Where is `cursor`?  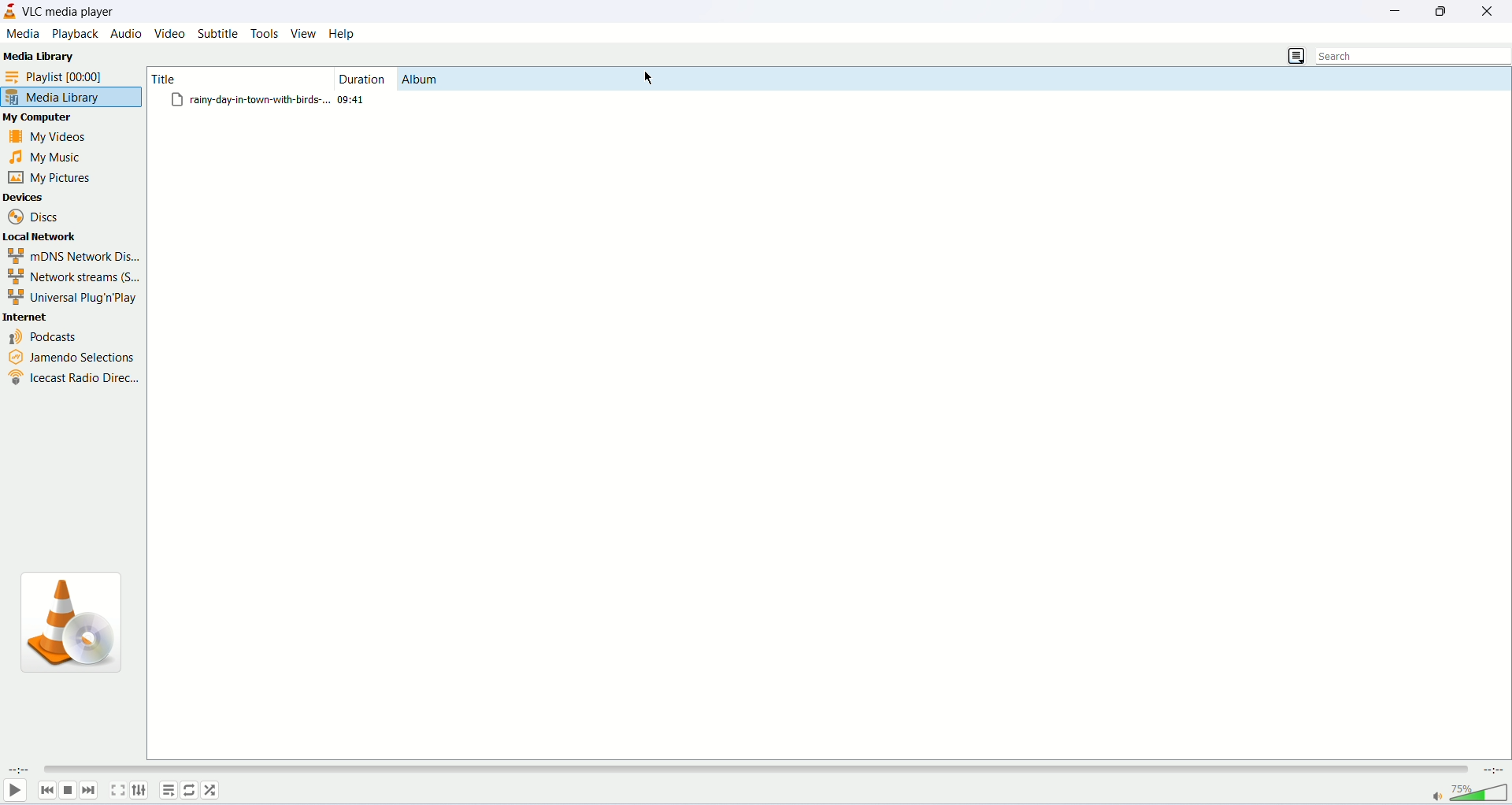
cursor is located at coordinates (645, 76).